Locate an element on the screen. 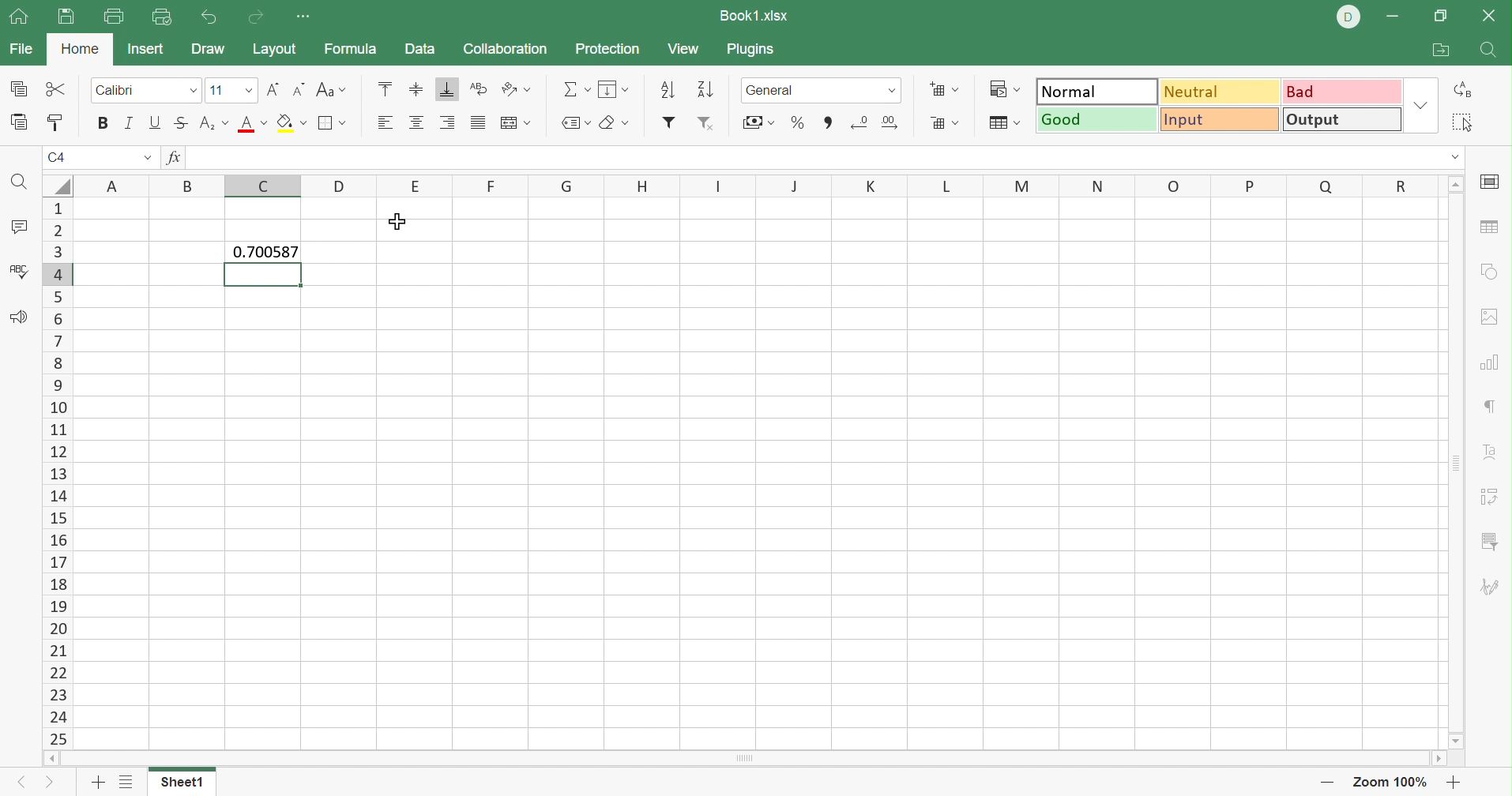 This screenshot has width=1512, height=796. Italic is located at coordinates (130, 122).